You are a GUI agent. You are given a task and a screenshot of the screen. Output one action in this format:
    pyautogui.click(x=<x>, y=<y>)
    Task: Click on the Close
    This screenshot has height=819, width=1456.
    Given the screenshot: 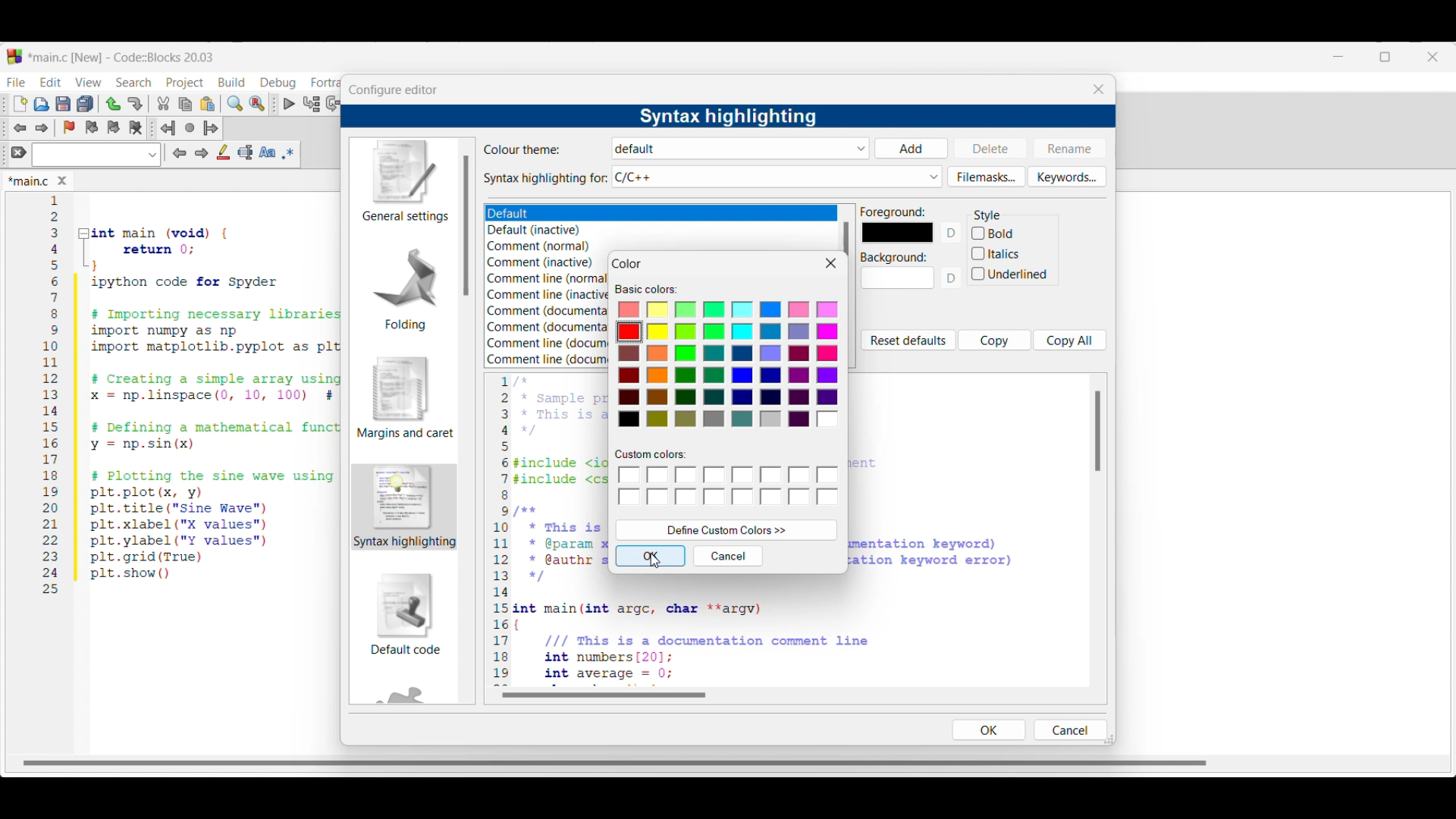 What is the action you would take?
    pyautogui.click(x=831, y=263)
    